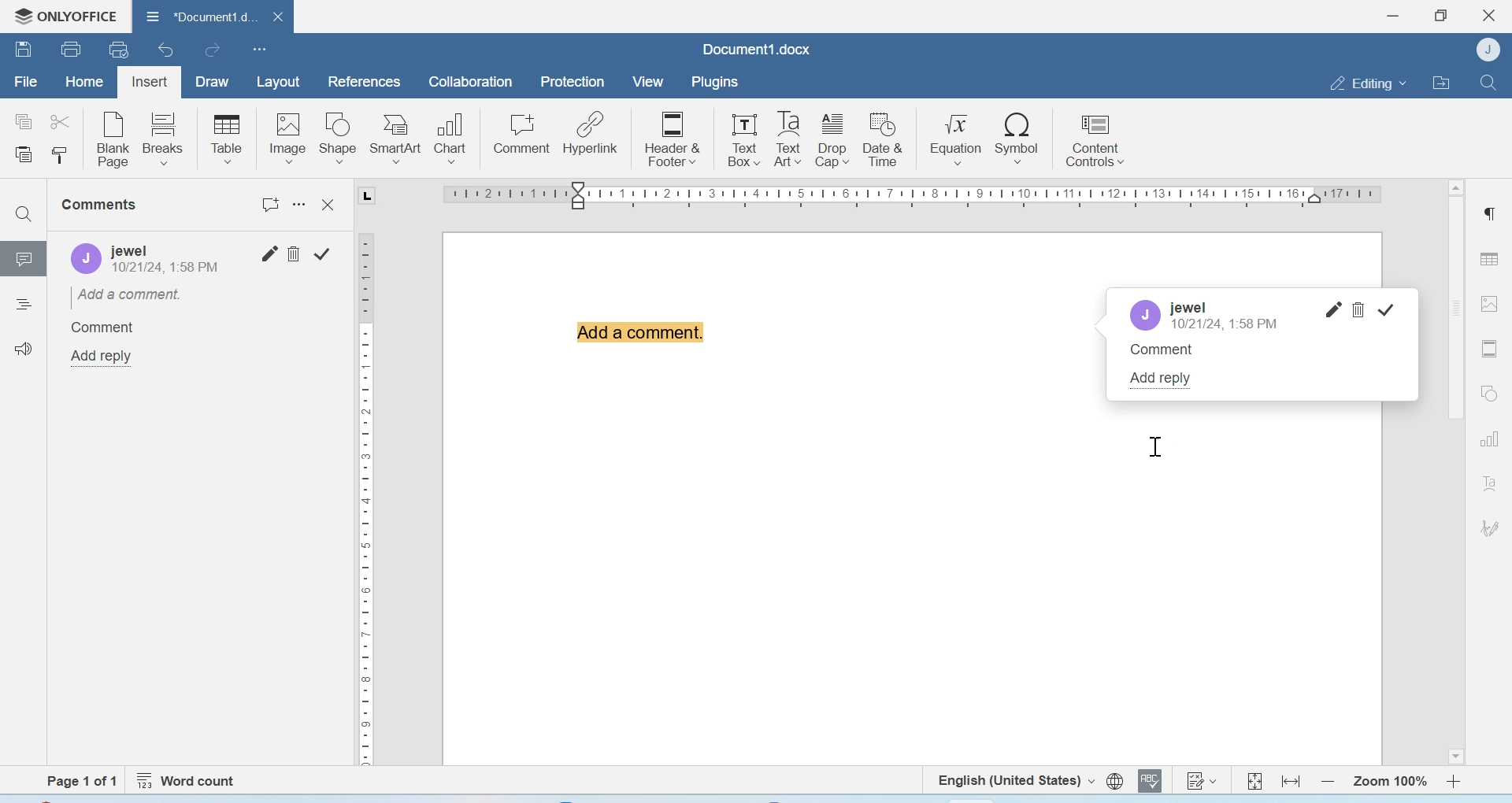  Describe the element at coordinates (1148, 315) in the screenshot. I see `Account` at that location.